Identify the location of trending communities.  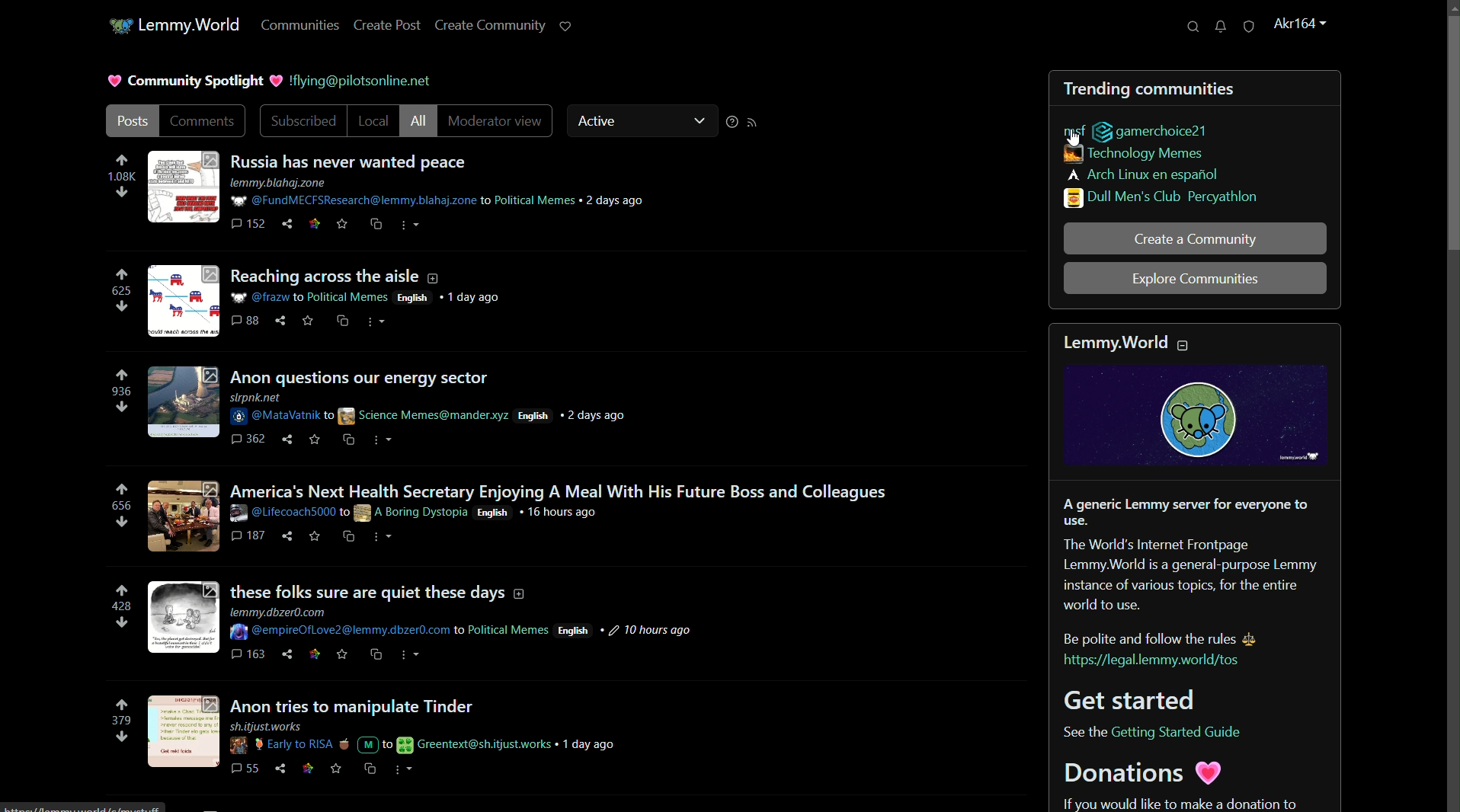
(1148, 88).